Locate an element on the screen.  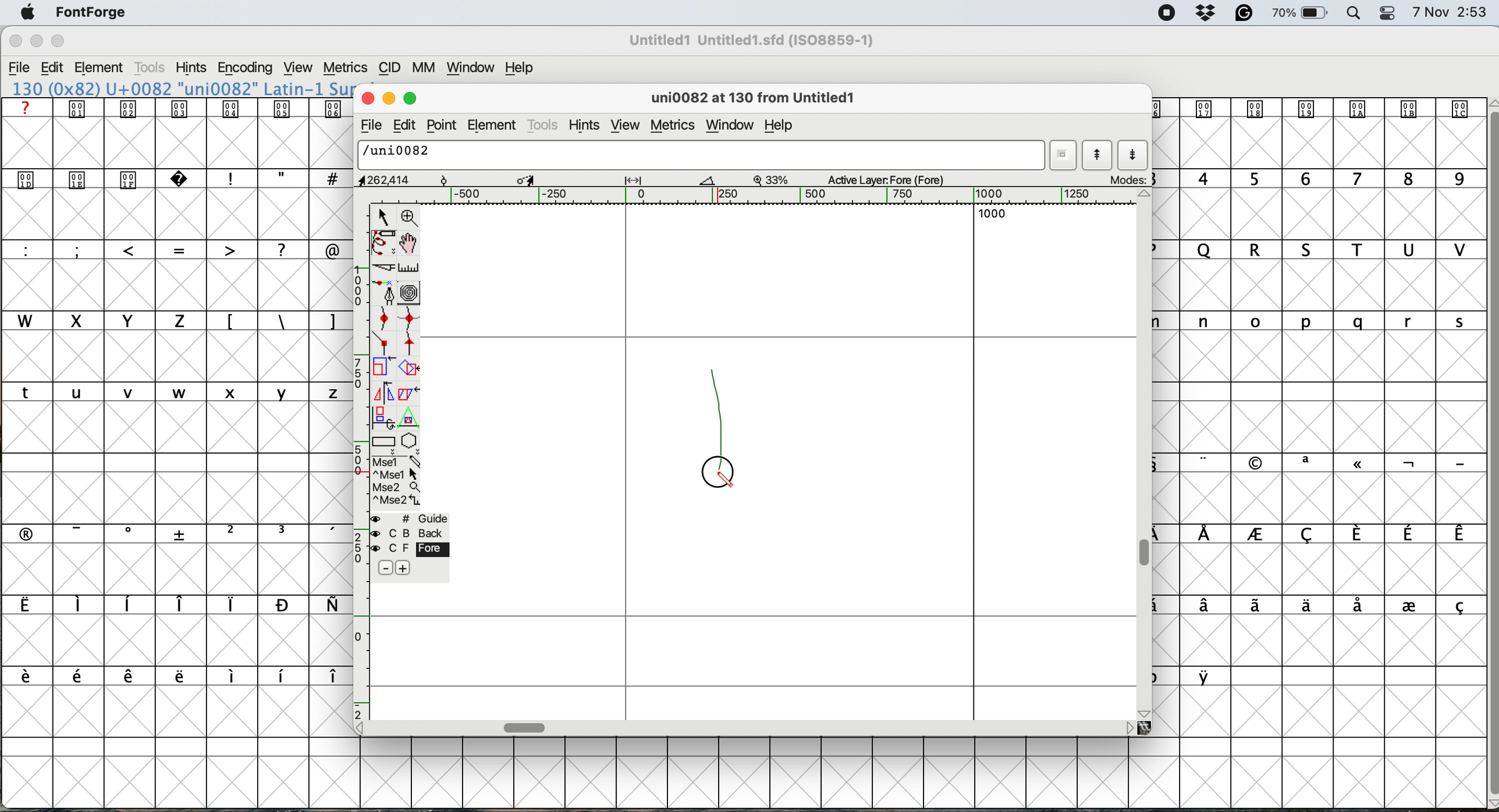
element is located at coordinates (105, 67).